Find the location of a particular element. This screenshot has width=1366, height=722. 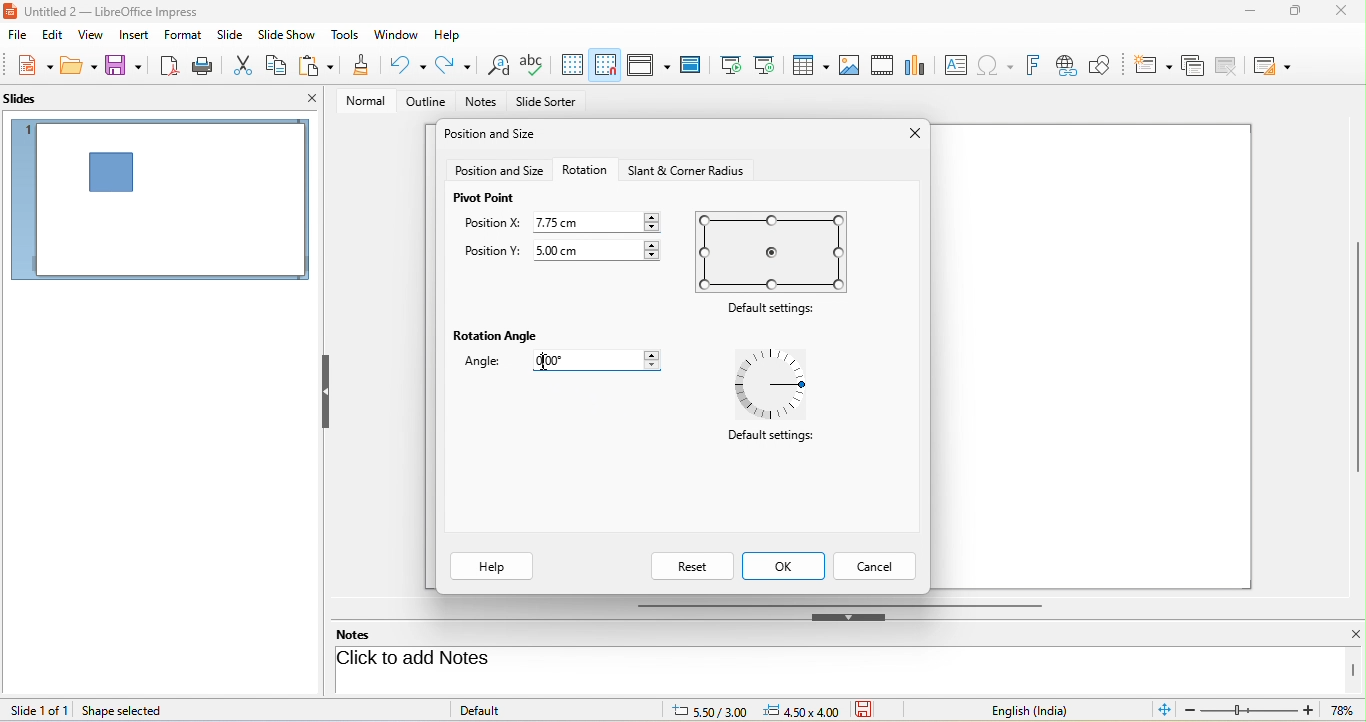

clone formatting is located at coordinates (362, 67).